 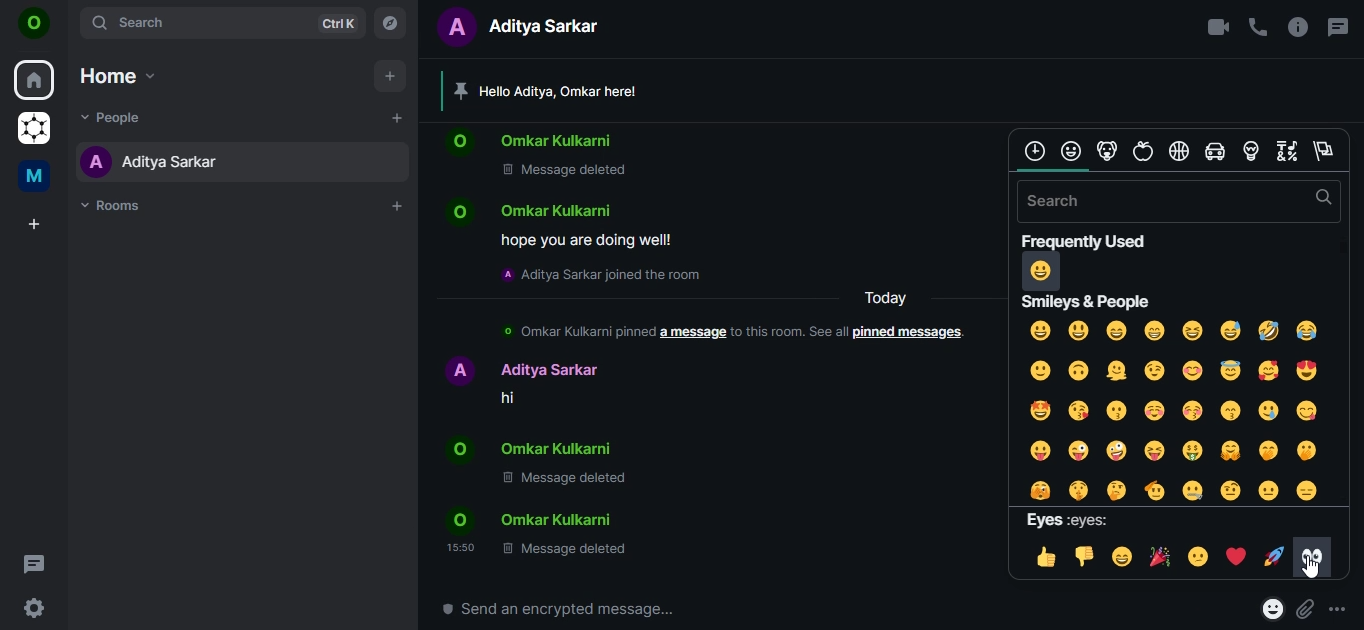 What do you see at coordinates (1304, 609) in the screenshot?
I see `attachments` at bounding box center [1304, 609].